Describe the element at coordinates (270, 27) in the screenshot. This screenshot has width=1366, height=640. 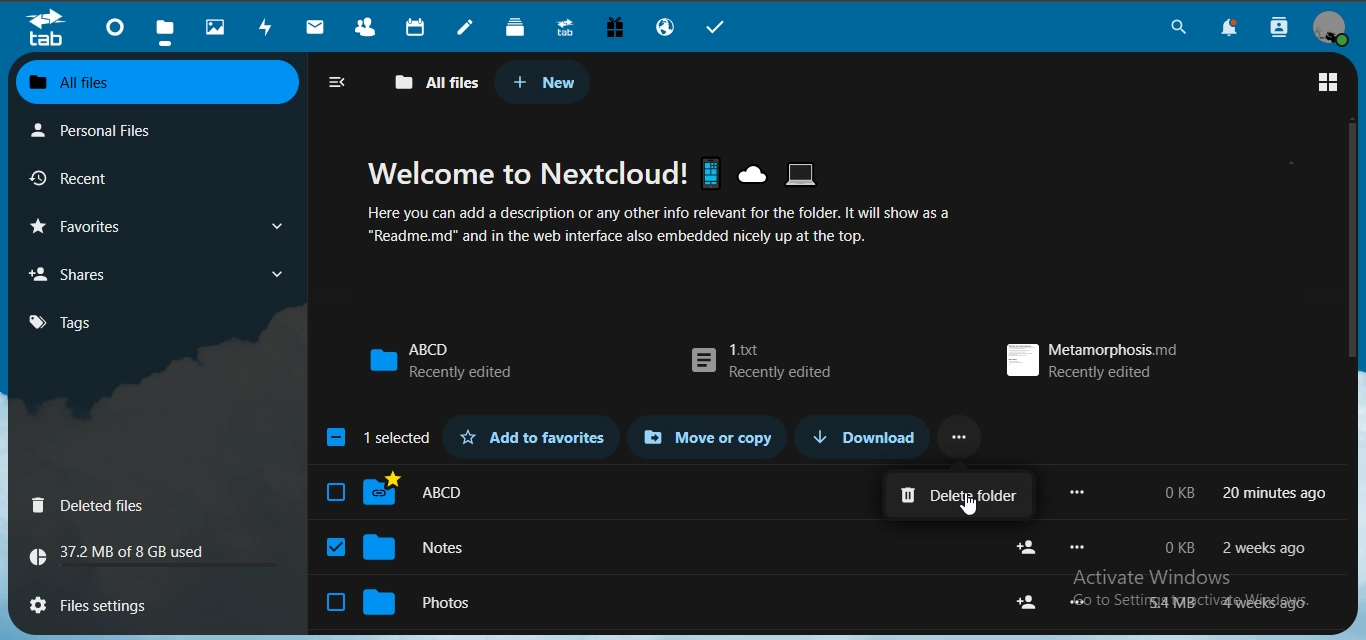
I see `activity` at that location.